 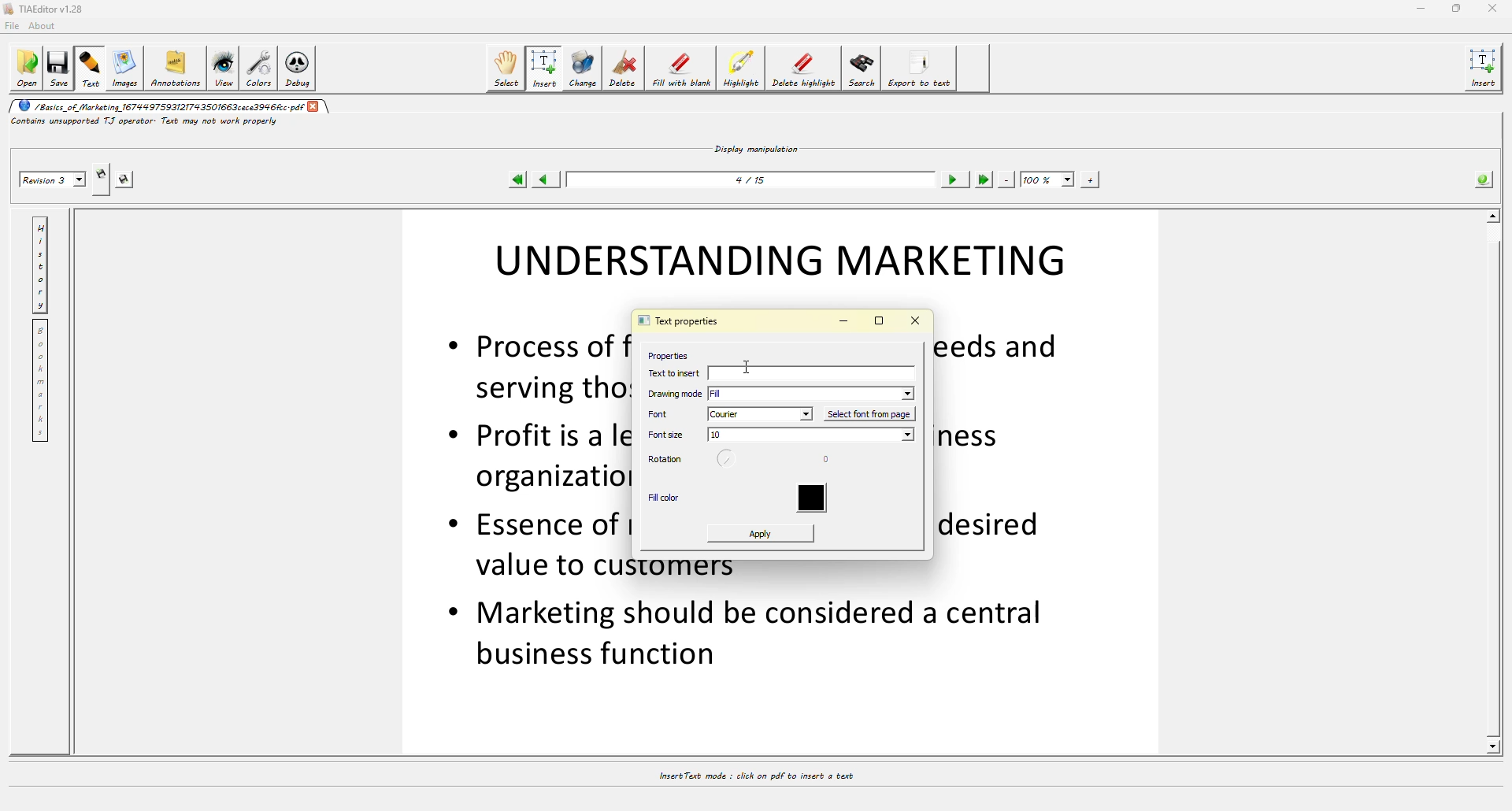 What do you see at coordinates (1484, 178) in the screenshot?
I see `info about pdf` at bounding box center [1484, 178].